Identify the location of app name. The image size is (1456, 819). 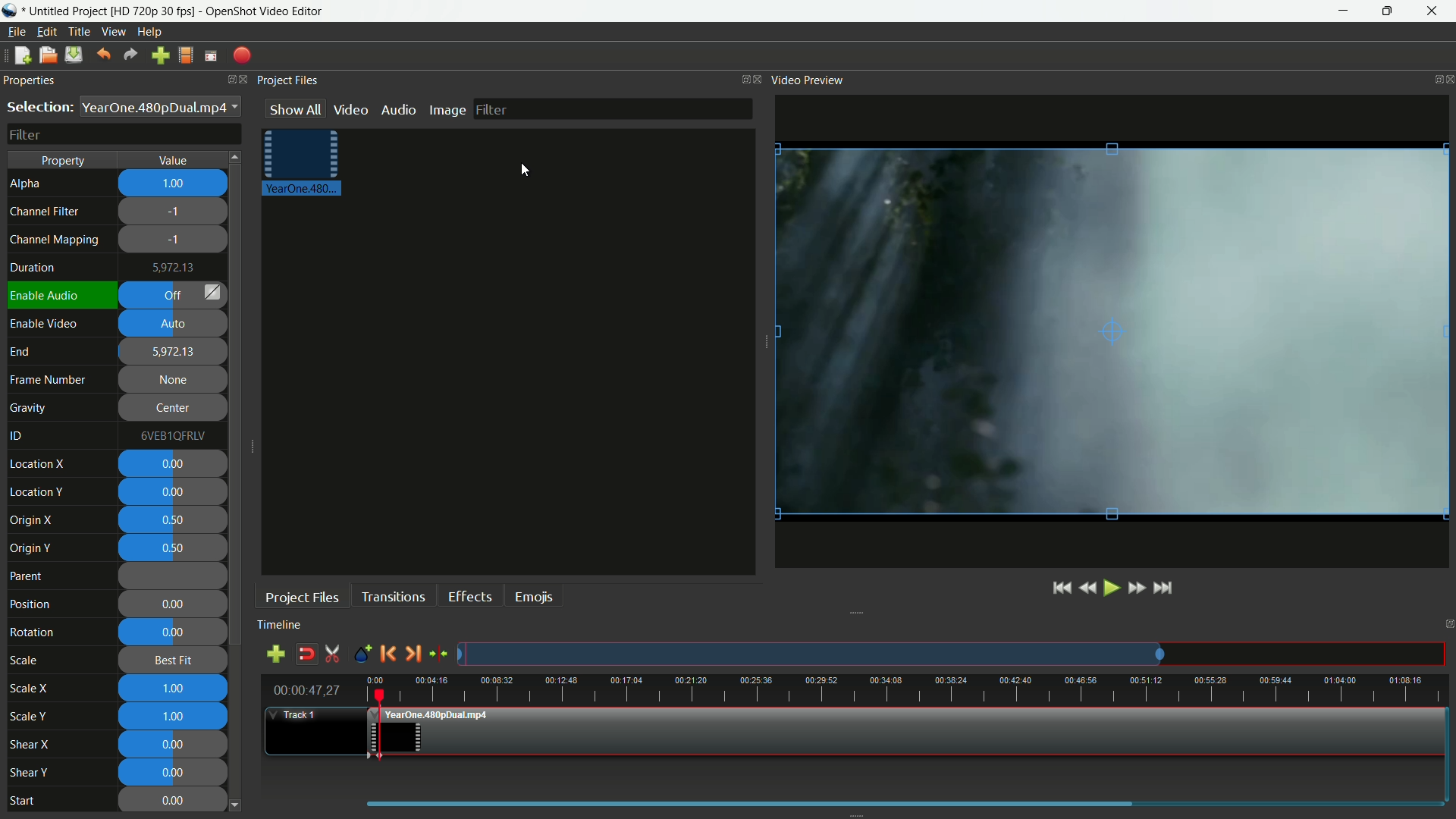
(265, 11).